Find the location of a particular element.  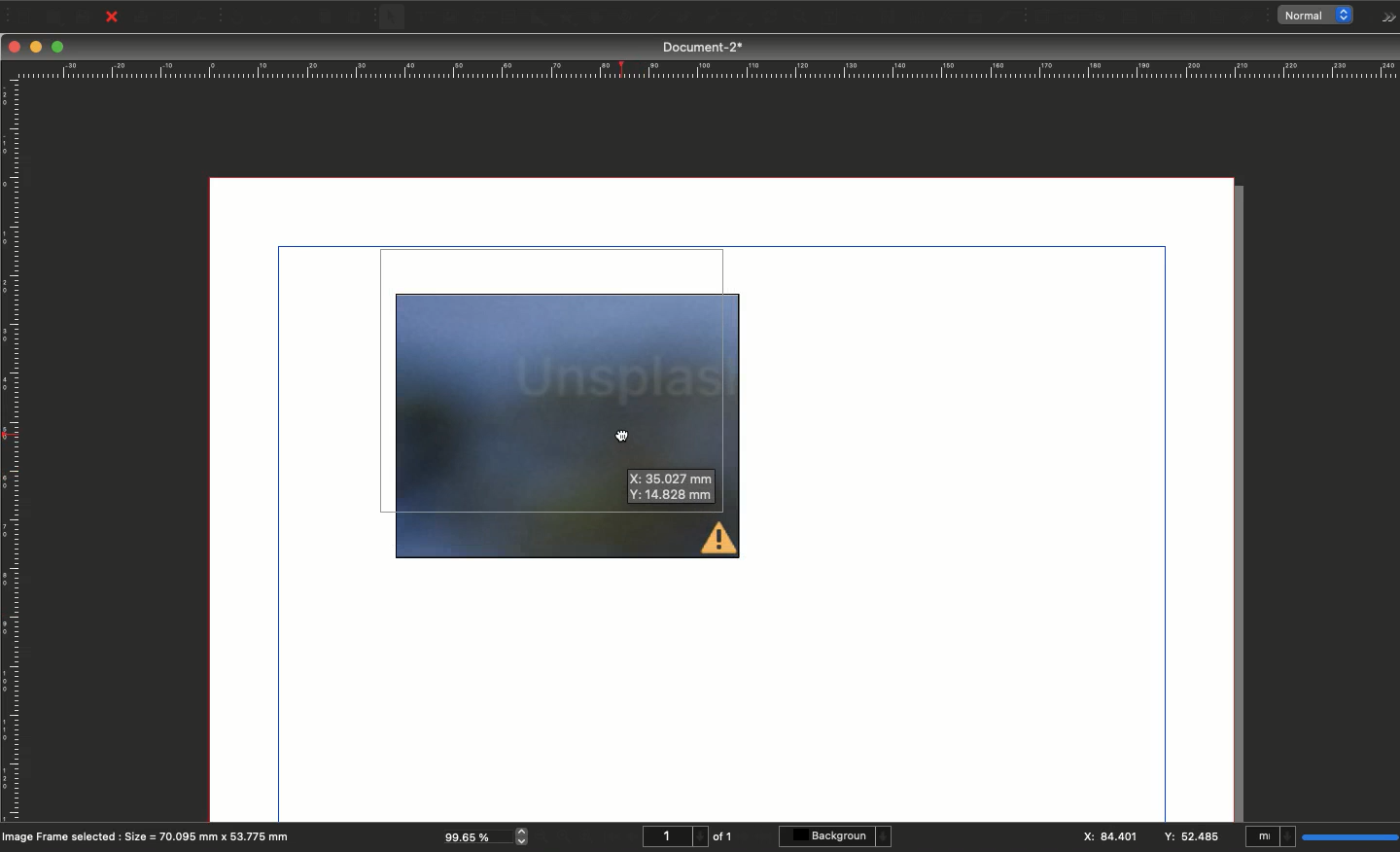

Text frame is located at coordinates (421, 19).